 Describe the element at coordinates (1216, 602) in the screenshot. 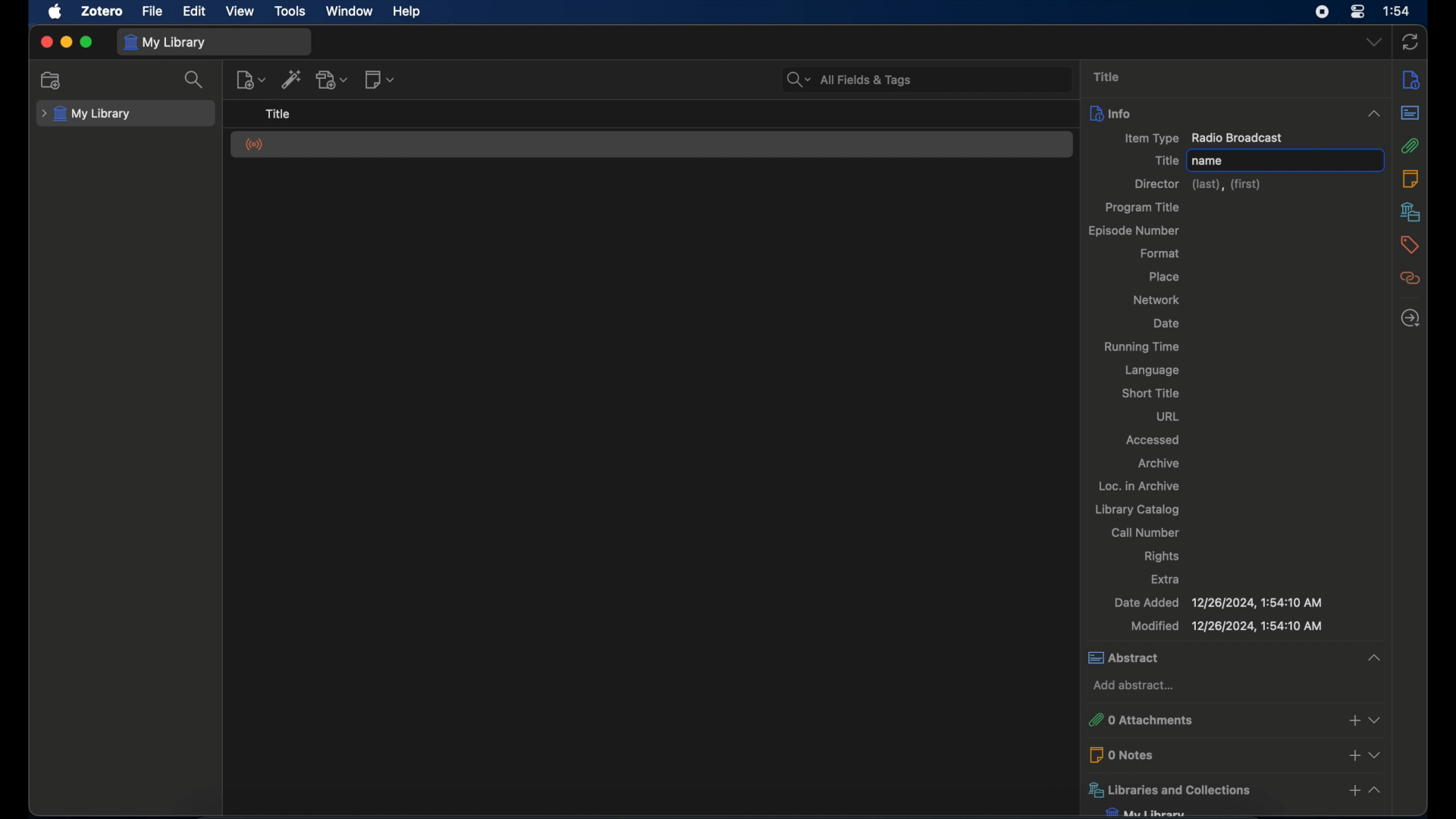

I see `date added 12/26/2024, 1:54:10 AM` at that location.